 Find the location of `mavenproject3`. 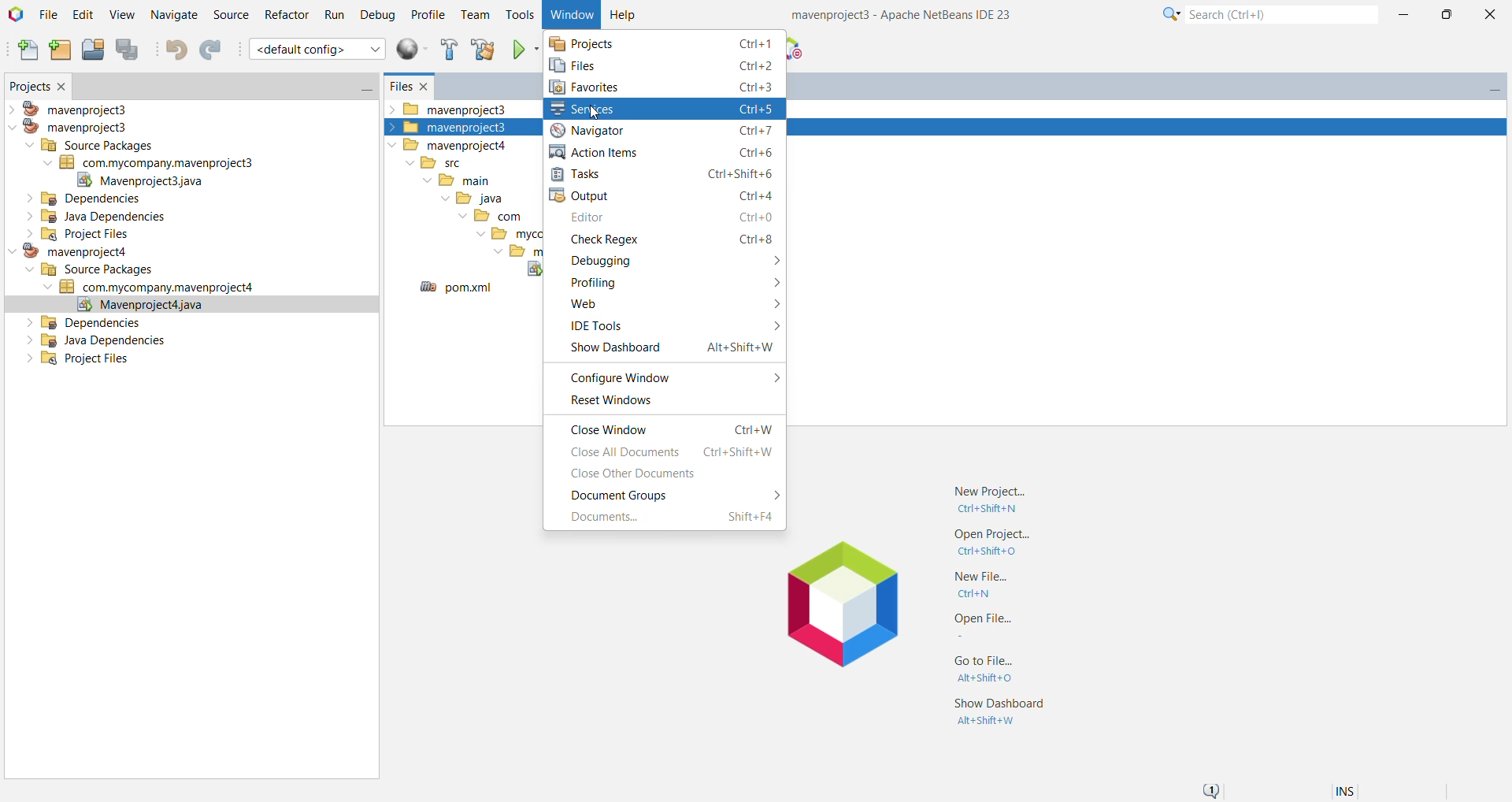

mavenproject3 is located at coordinates (72, 128).